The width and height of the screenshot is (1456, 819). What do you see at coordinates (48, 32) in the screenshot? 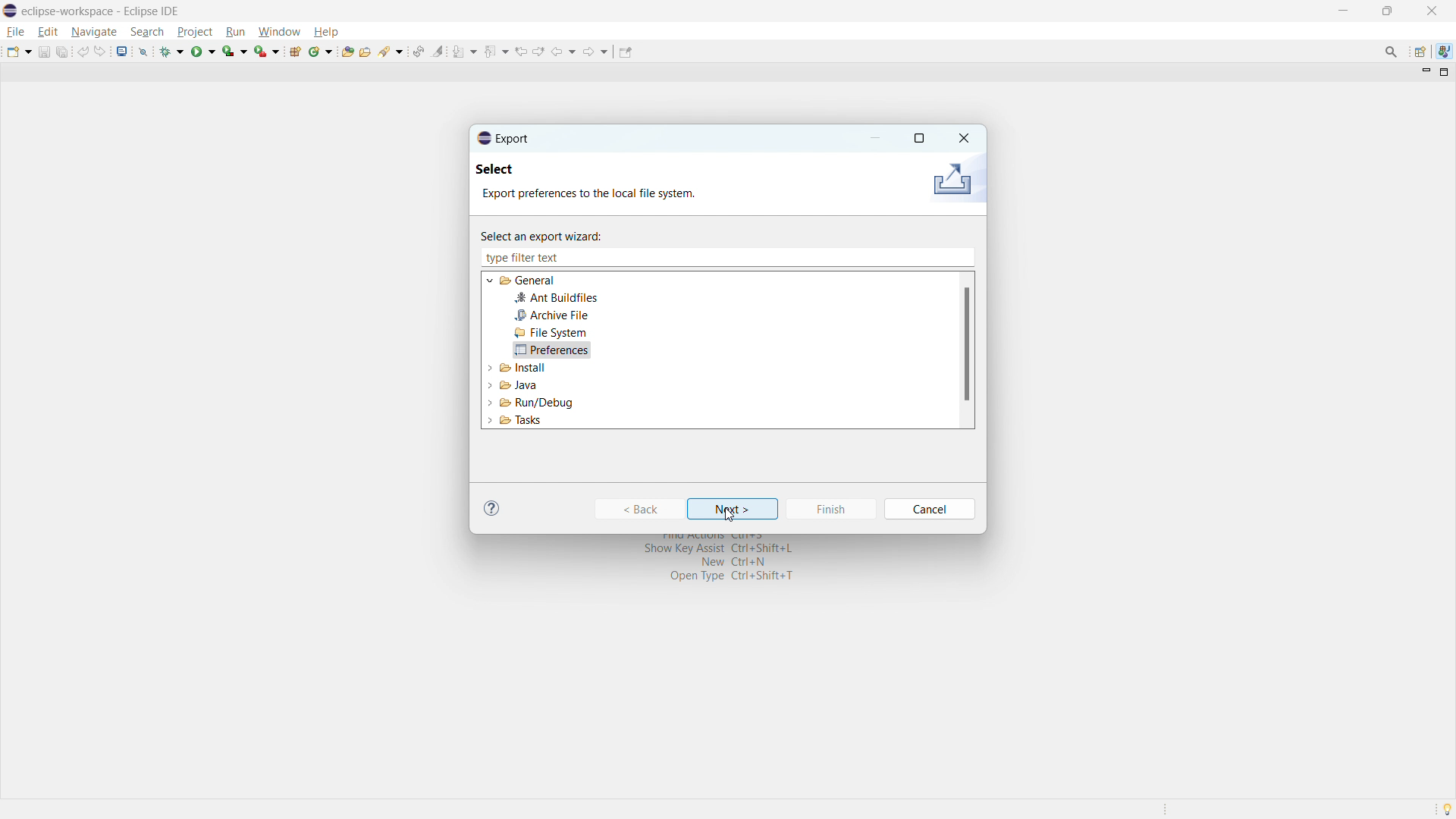
I see `edit` at bounding box center [48, 32].